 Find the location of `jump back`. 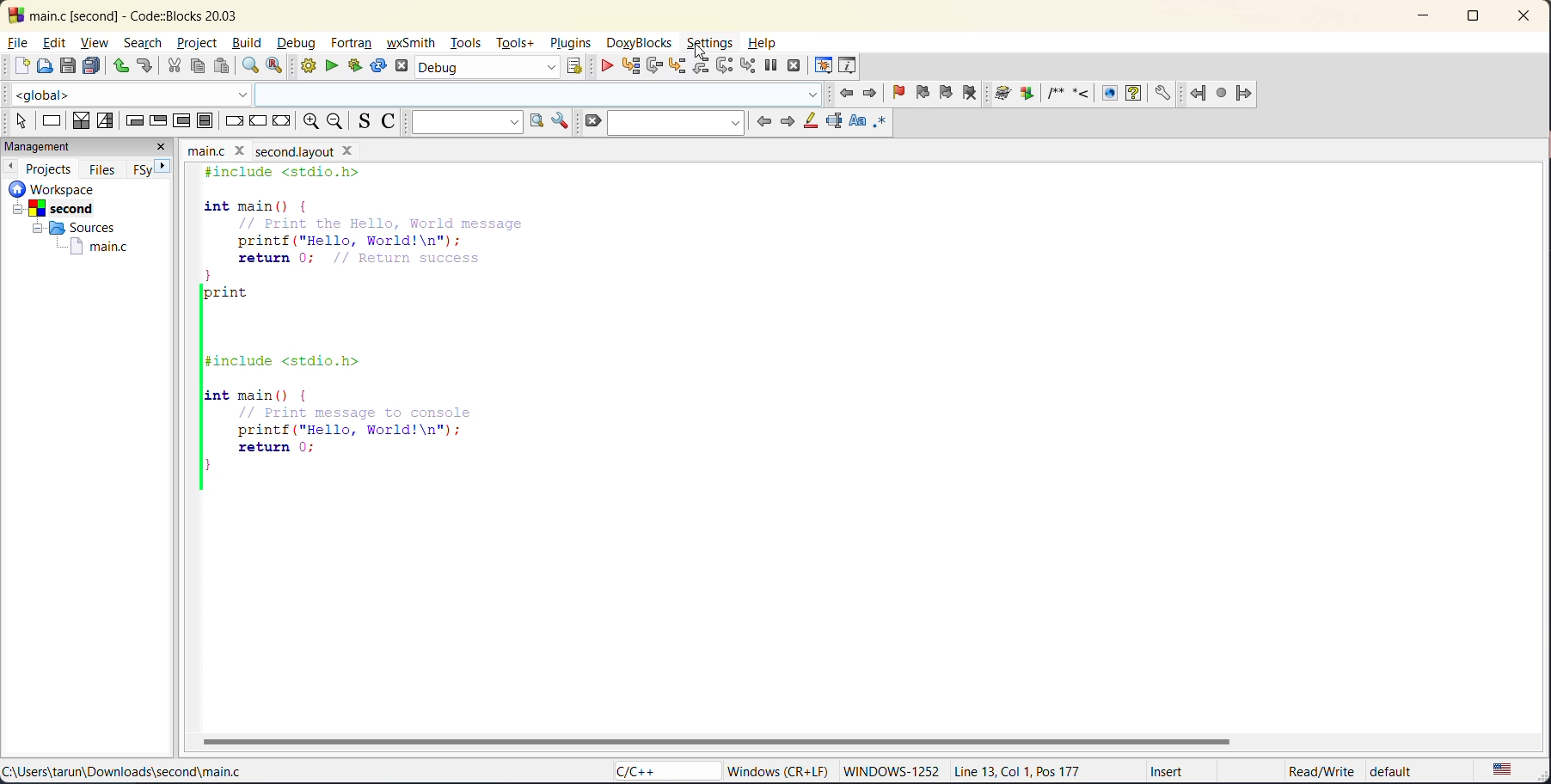

jump back is located at coordinates (848, 93).